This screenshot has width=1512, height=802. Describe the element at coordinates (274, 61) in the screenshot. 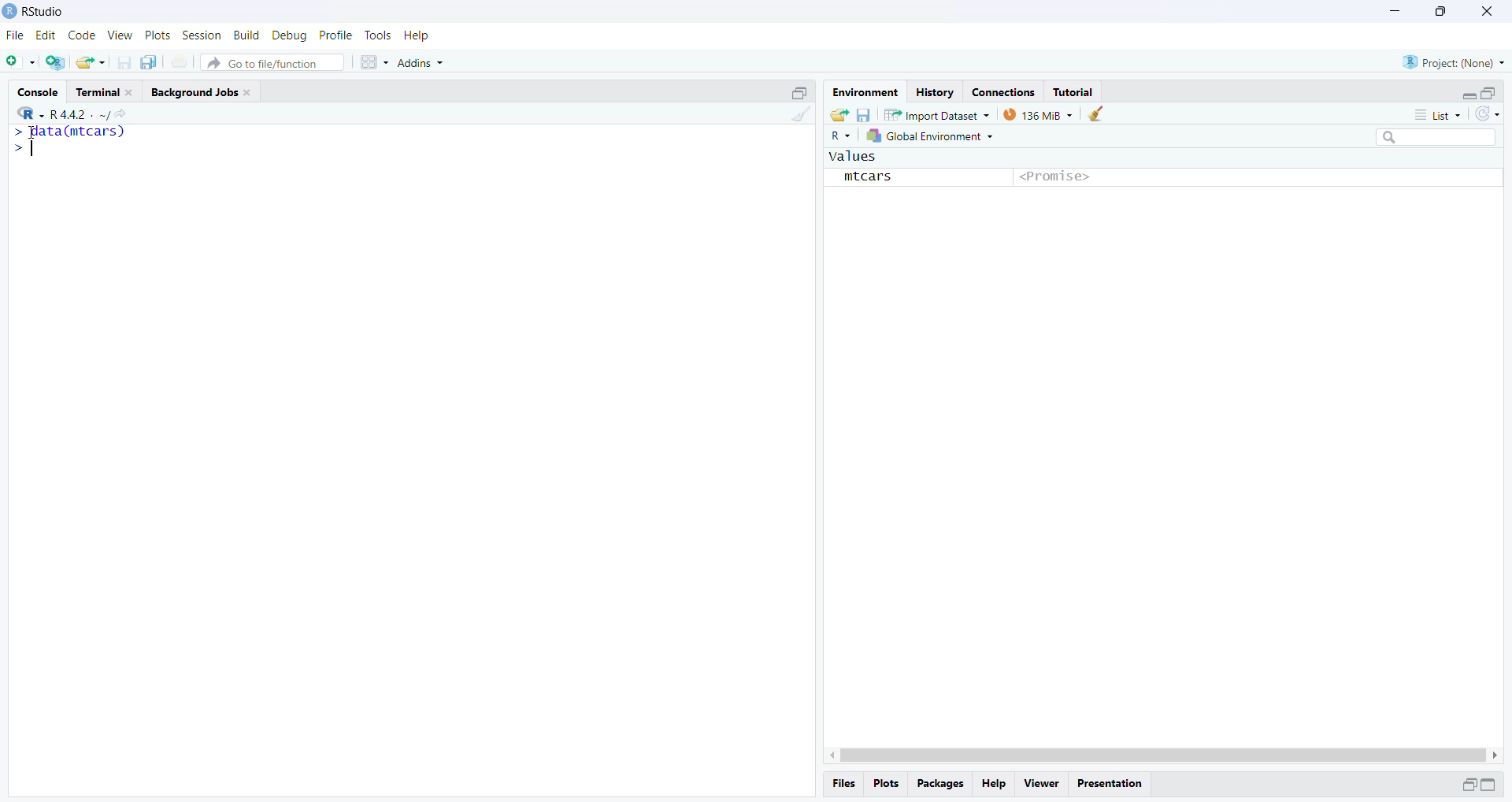

I see `Go to file/function` at that location.